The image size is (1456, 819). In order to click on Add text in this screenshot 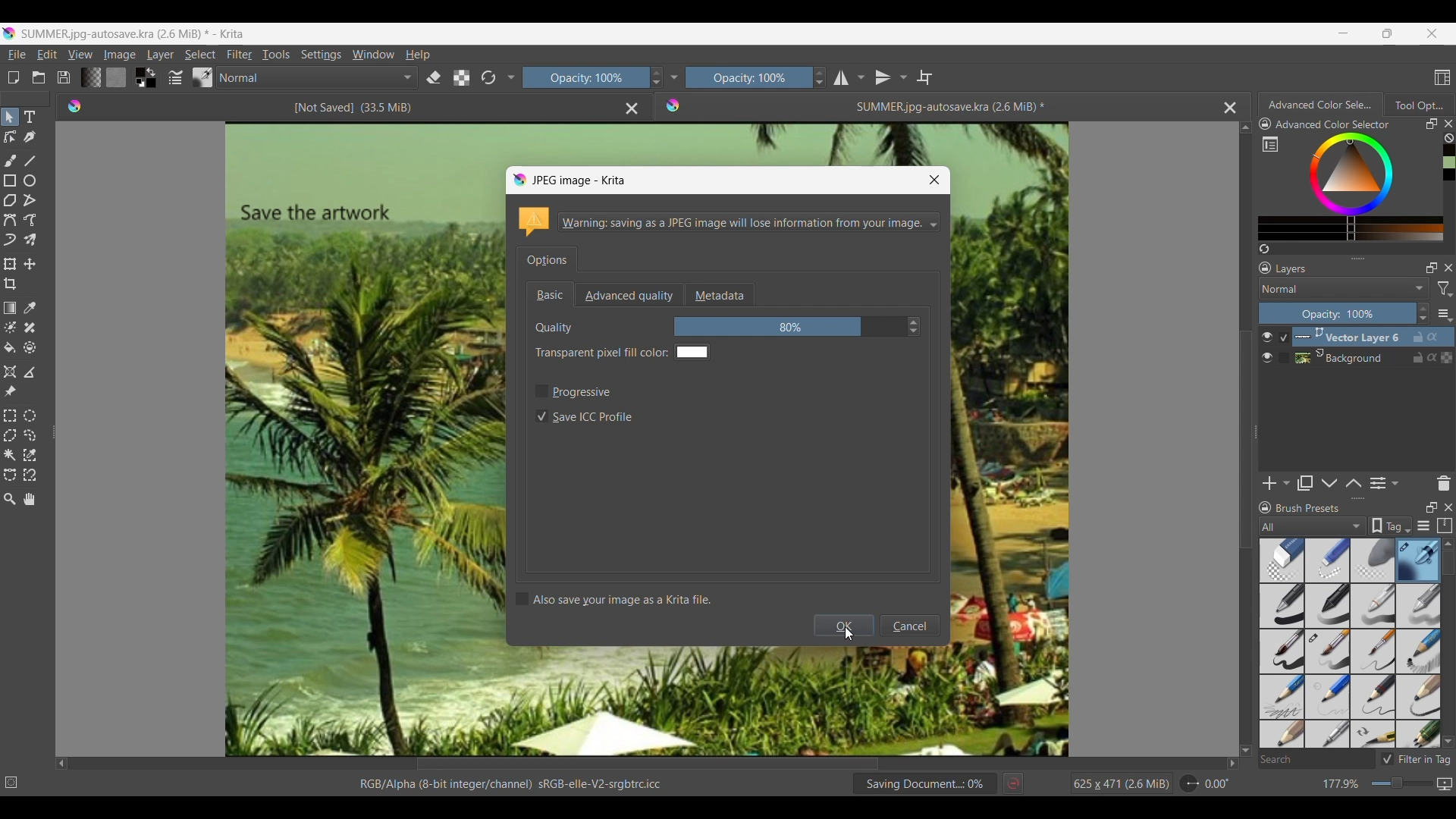, I will do `click(30, 117)`.